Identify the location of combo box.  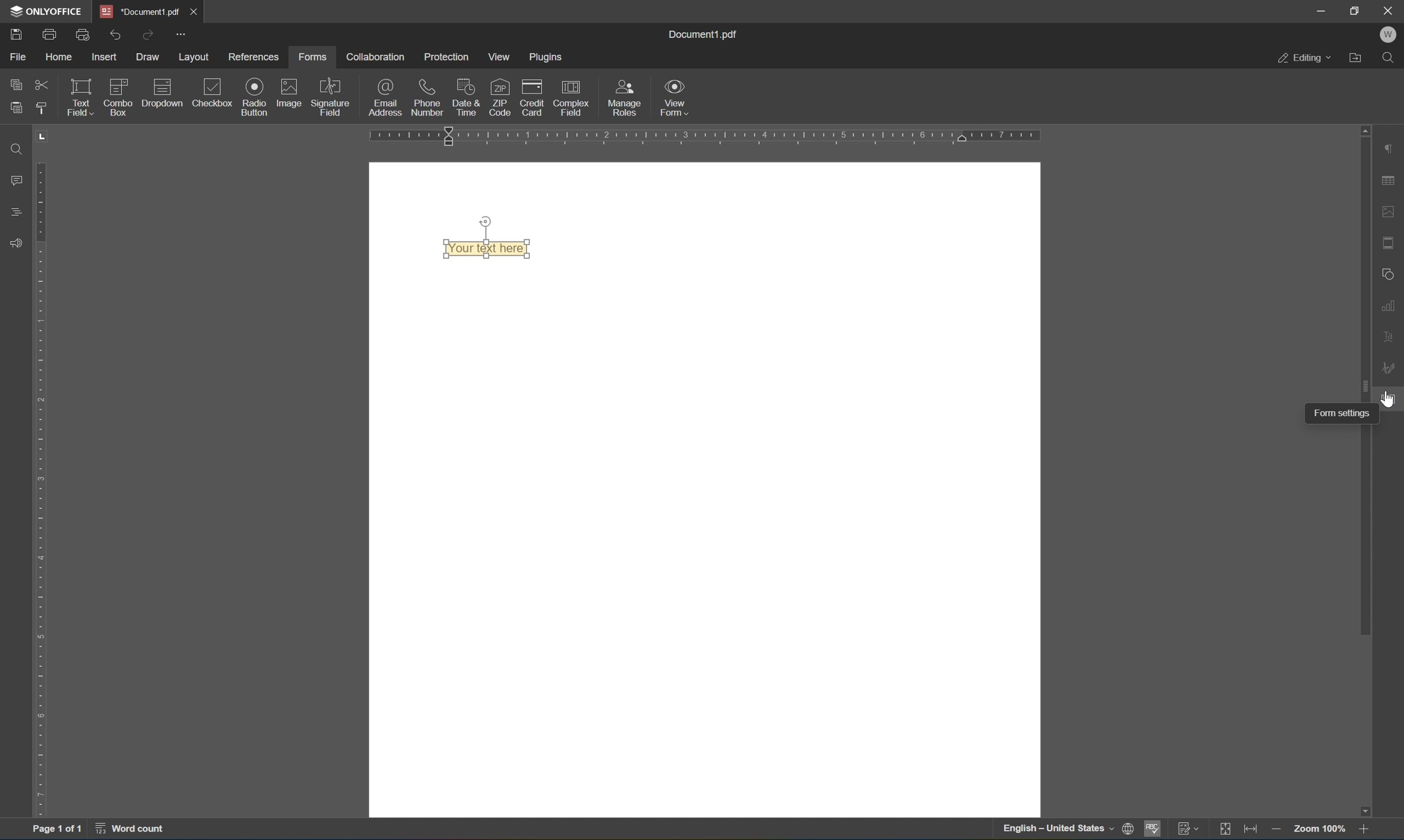
(119, 96).